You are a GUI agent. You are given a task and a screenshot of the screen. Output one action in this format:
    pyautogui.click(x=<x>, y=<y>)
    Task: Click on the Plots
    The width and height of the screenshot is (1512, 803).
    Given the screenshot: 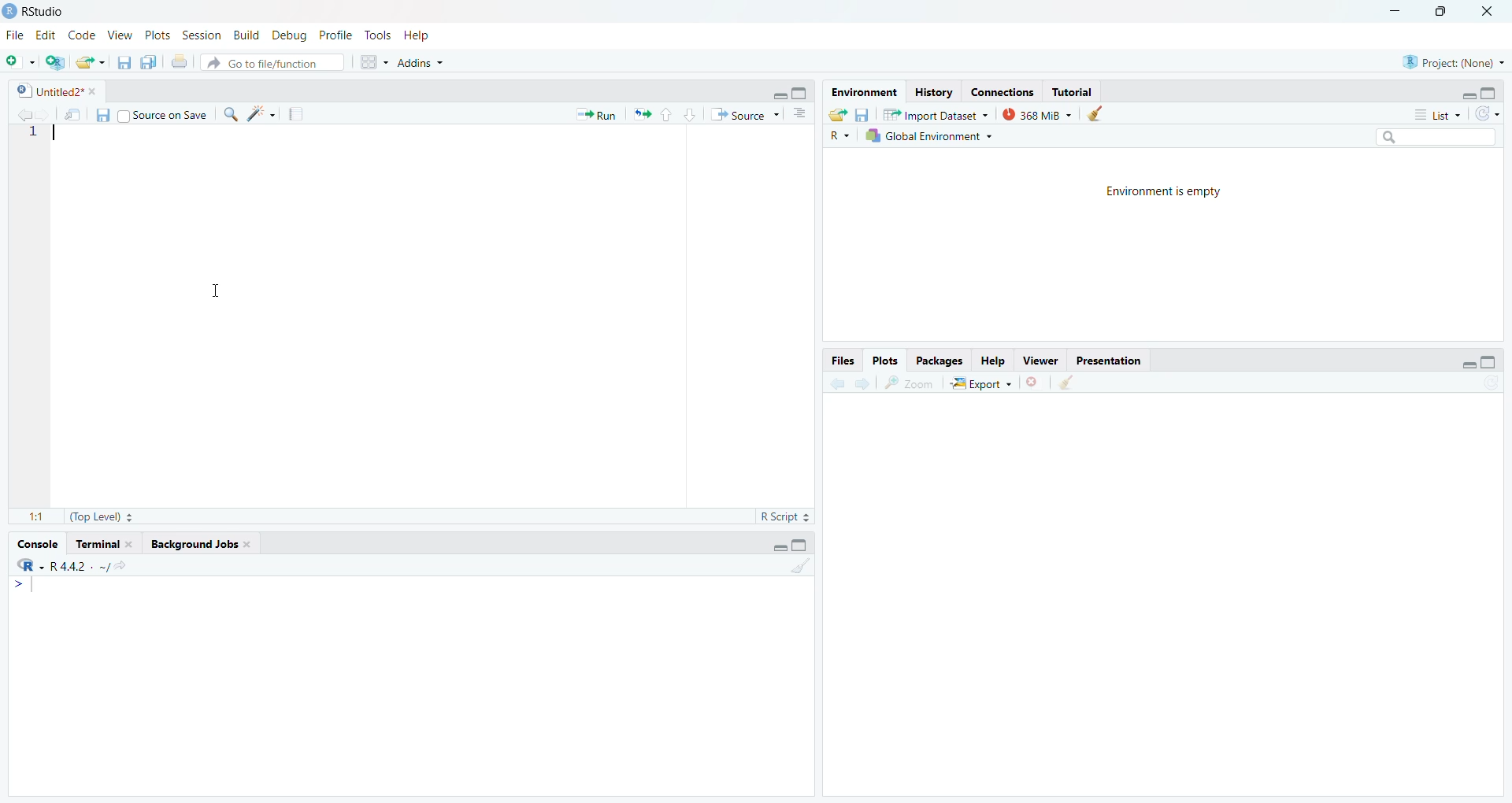 What is the action you would take?
    pyautogui.click(x=885, y=361)
    